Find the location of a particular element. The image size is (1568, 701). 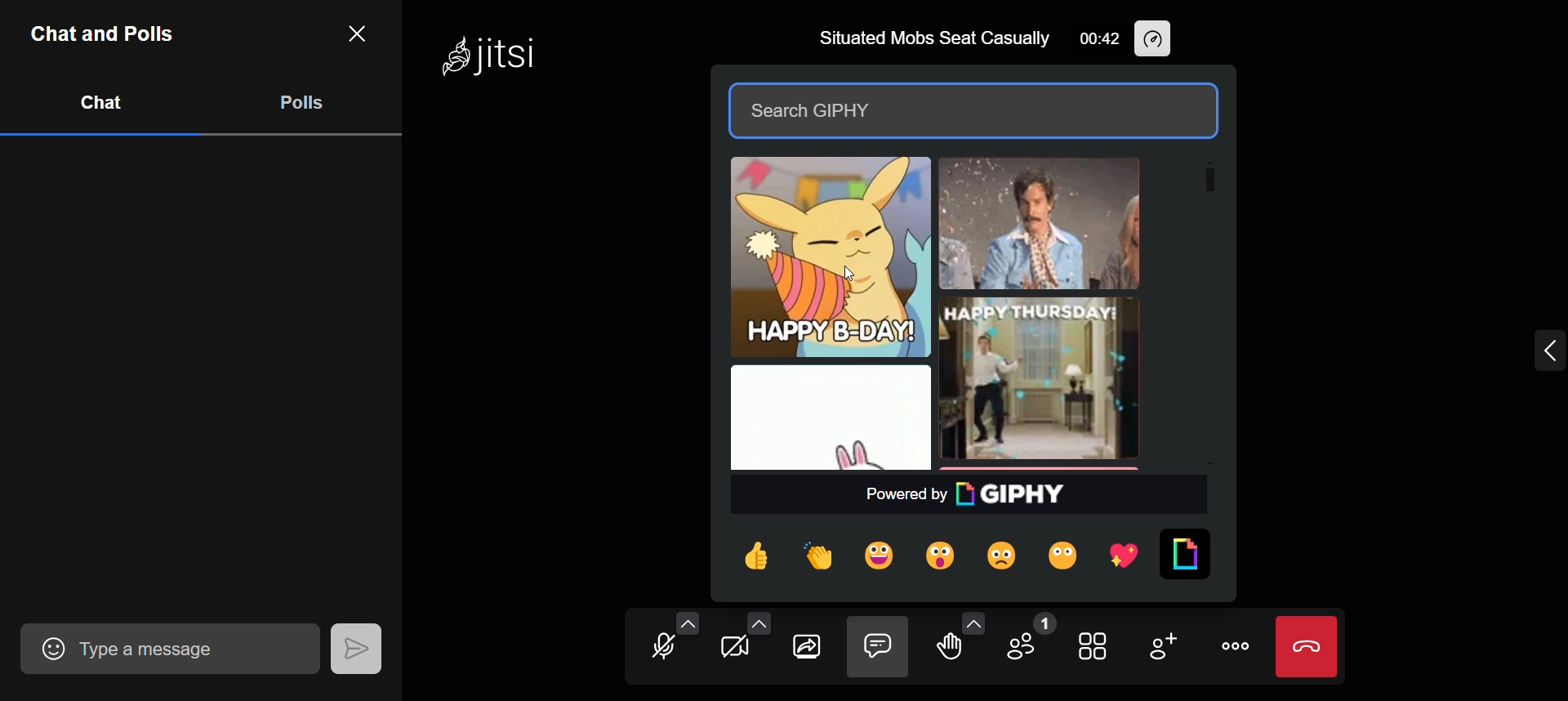

start camera is located at coordinates (738, 653).